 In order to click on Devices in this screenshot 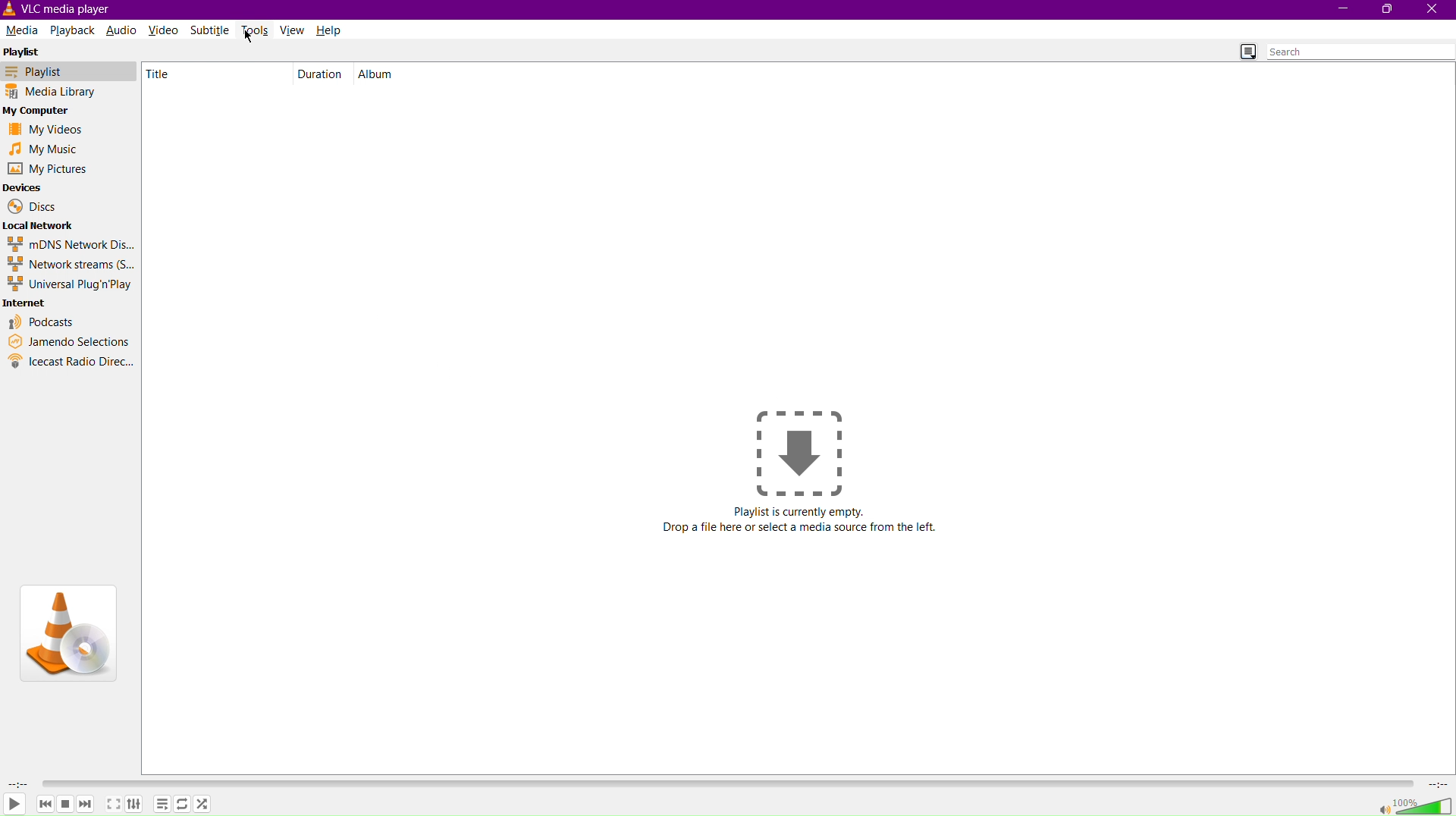, I will do `click(24, 187)`.